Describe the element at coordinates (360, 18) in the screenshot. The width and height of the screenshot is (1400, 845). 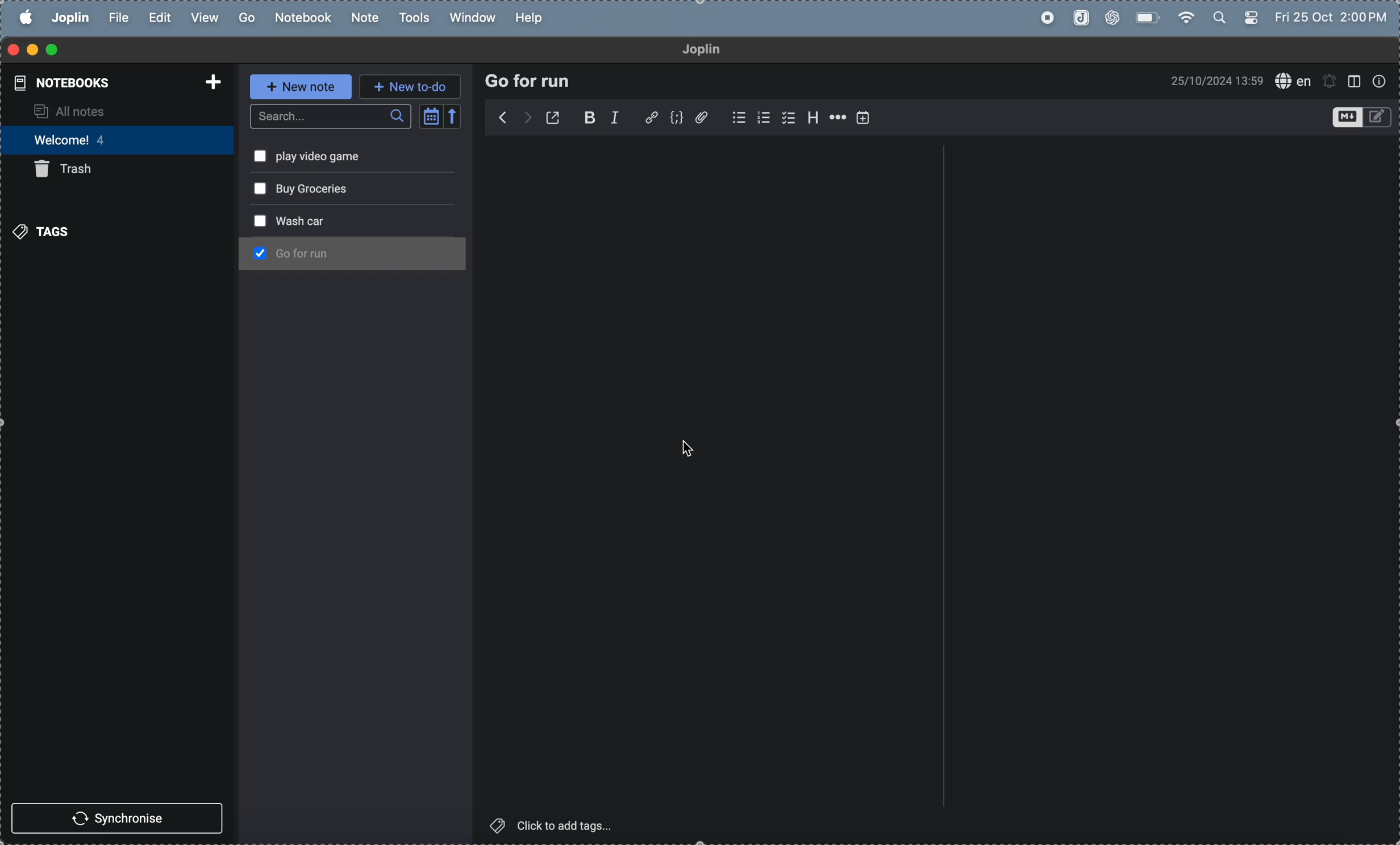
I see `note` at that location.